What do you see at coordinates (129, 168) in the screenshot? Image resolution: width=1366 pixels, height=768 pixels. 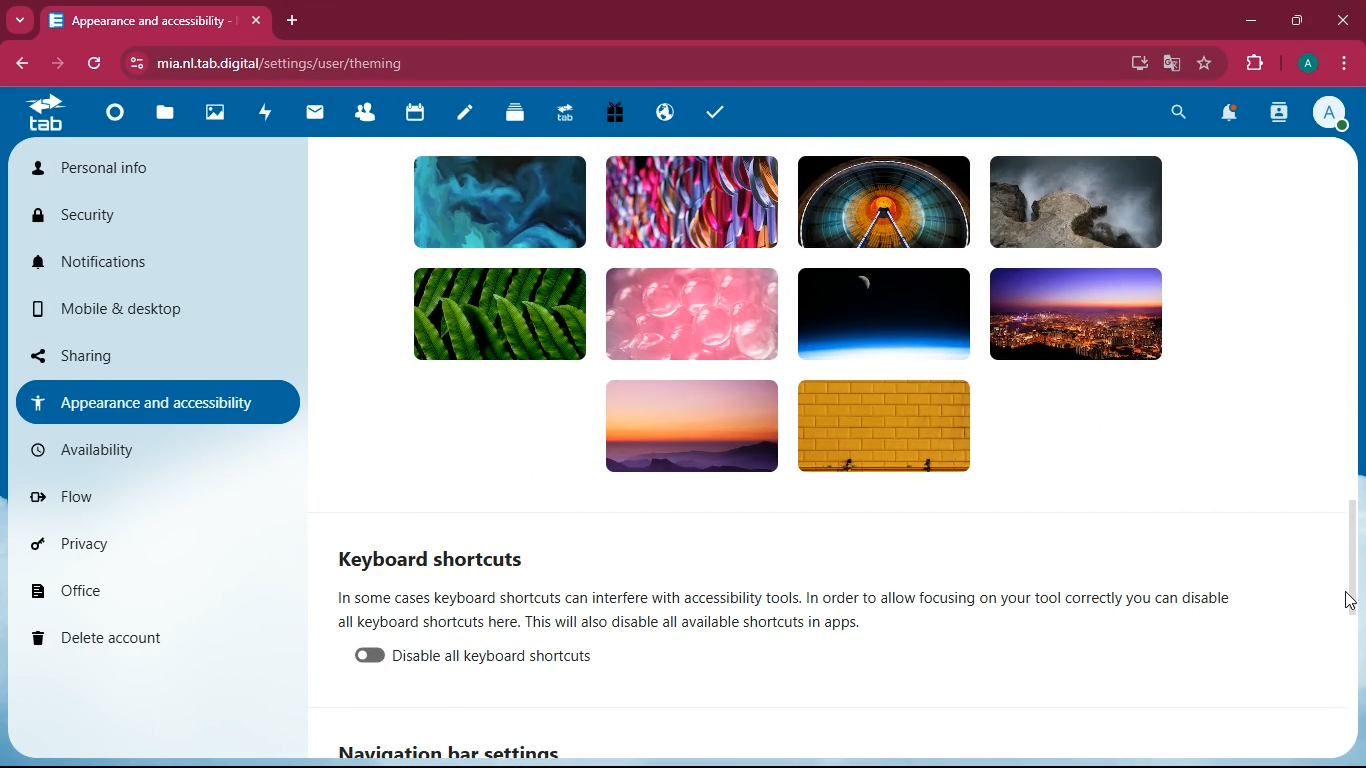 I see `personal info` at bounding box center [129, 168].